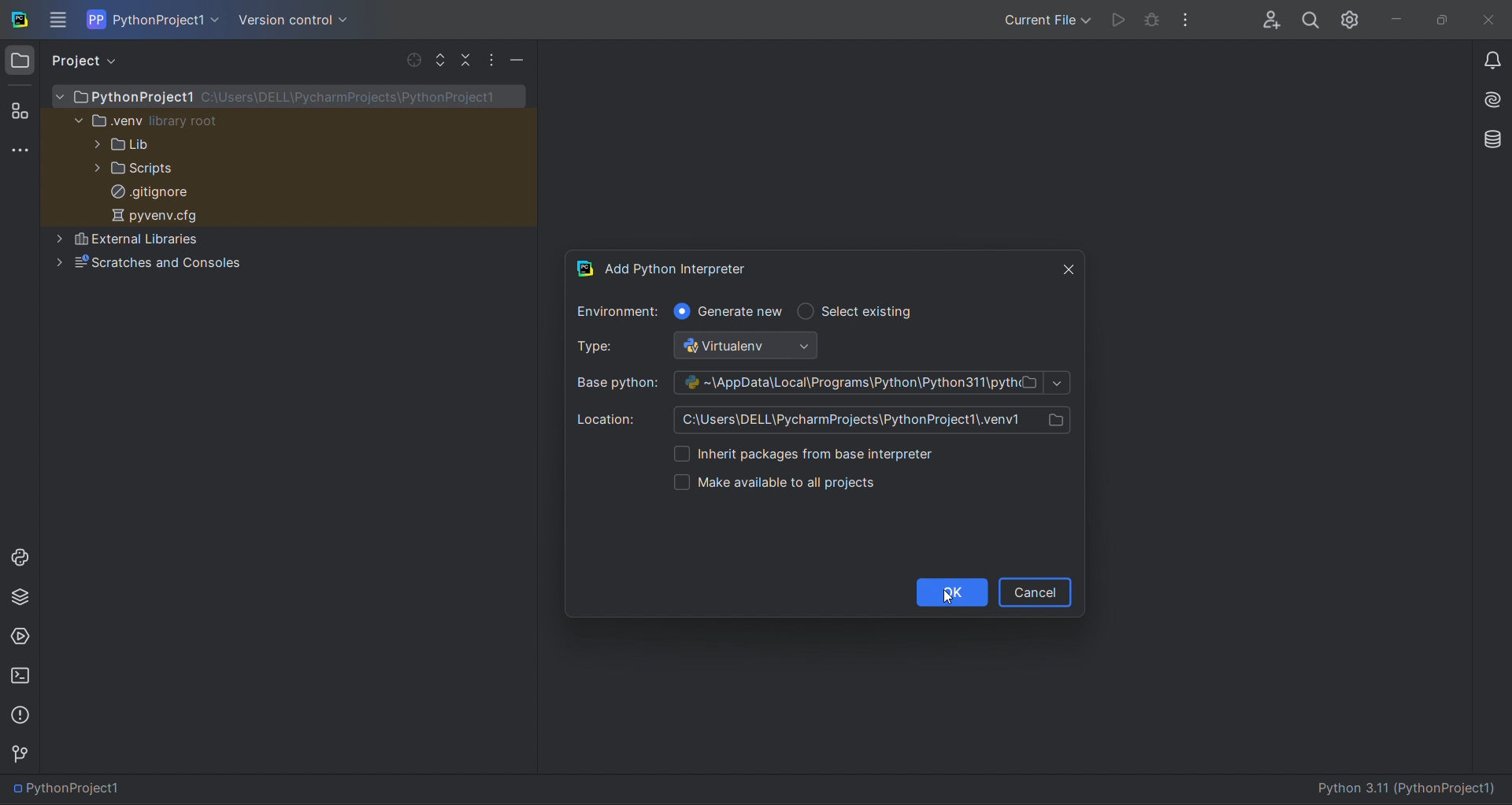  What do you see at coordinates (865, 453) in the screenshot?
I see `option` at bounding box center [865, 453].